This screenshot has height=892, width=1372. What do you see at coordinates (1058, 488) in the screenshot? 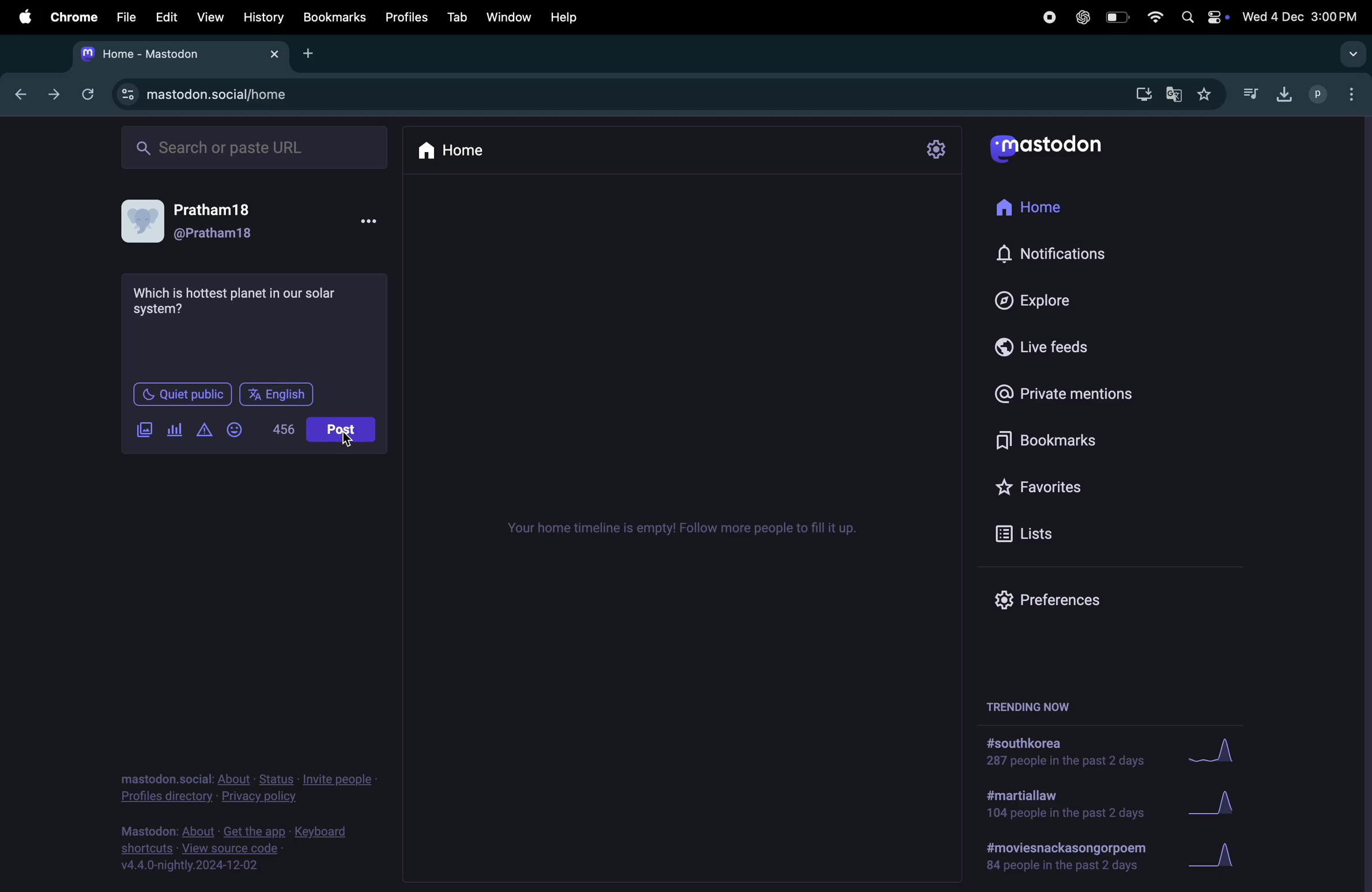
I see `Favourites` at bounding box center [1058, 488].